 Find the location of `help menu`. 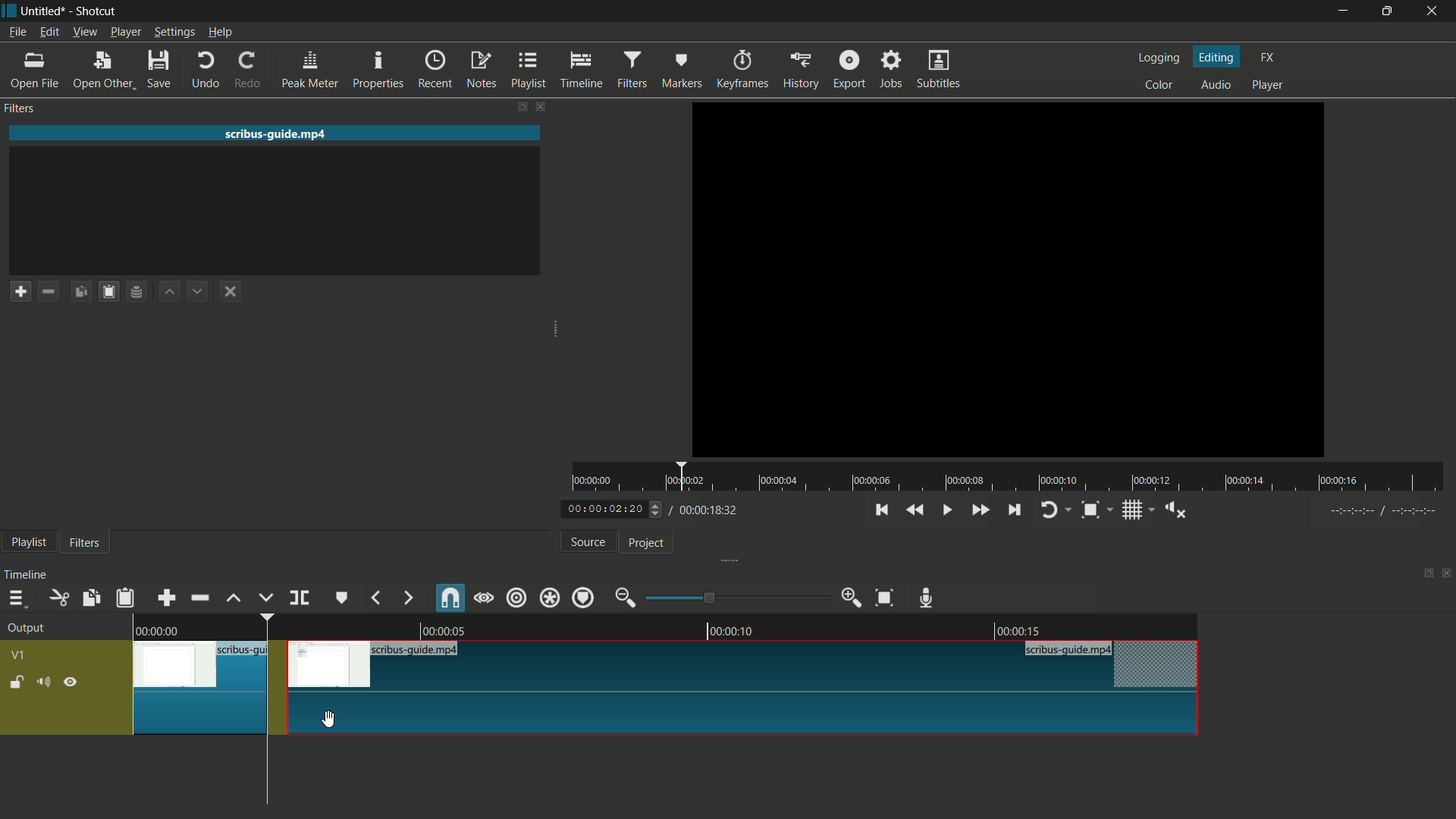

help menu is located at coordinates (221, 33).